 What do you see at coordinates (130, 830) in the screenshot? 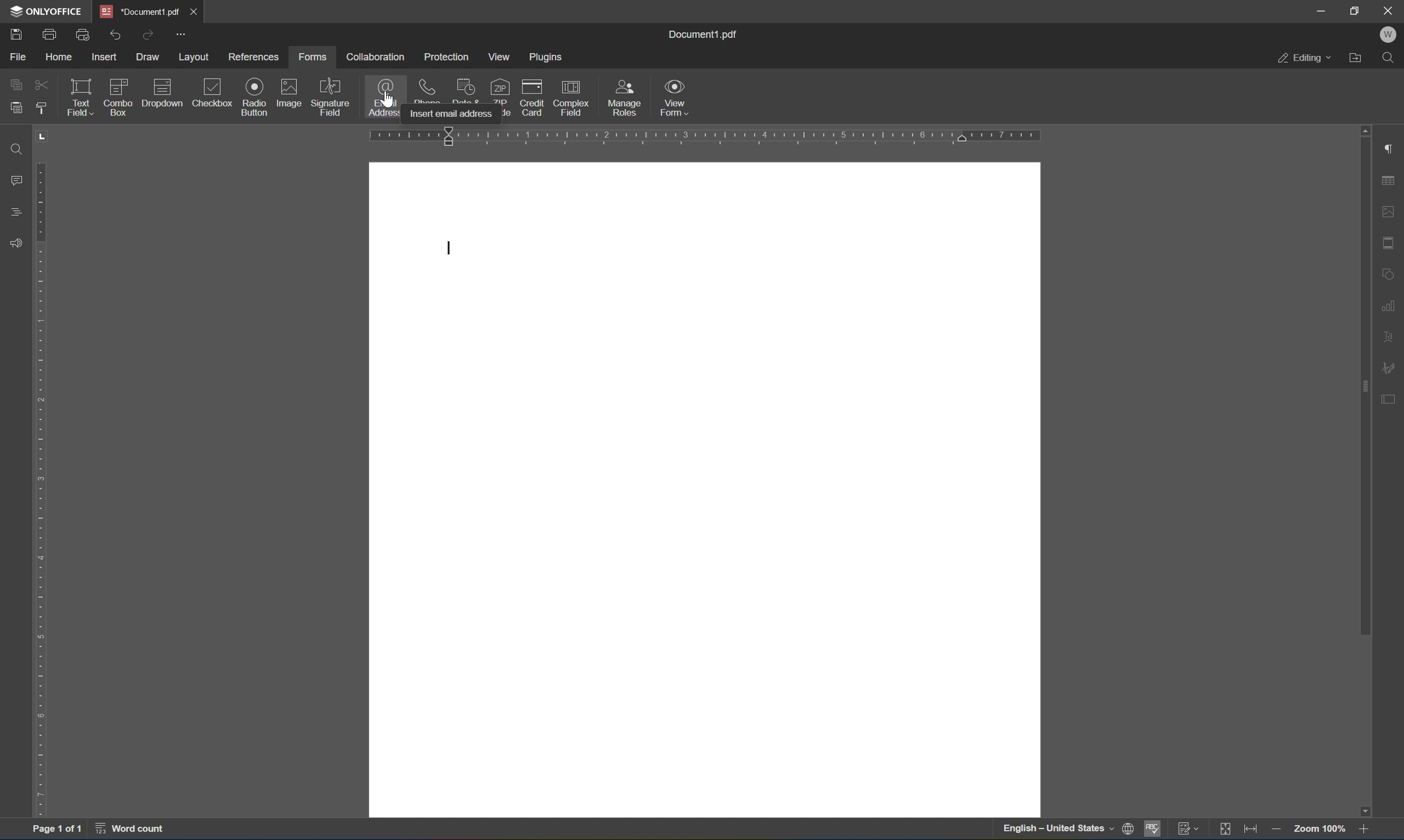
I see `word count` at bounding box center [130, 830].